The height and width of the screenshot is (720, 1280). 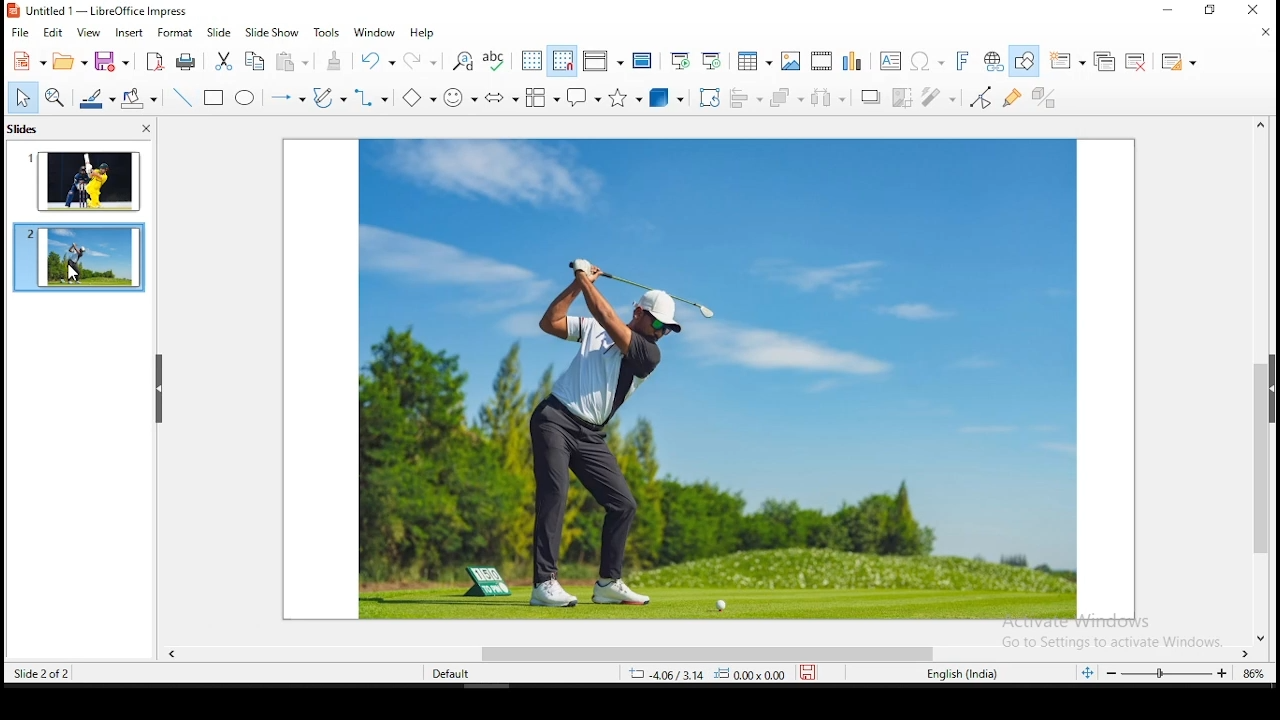 I want to click on stars and banners, so click(x=625, y=97).